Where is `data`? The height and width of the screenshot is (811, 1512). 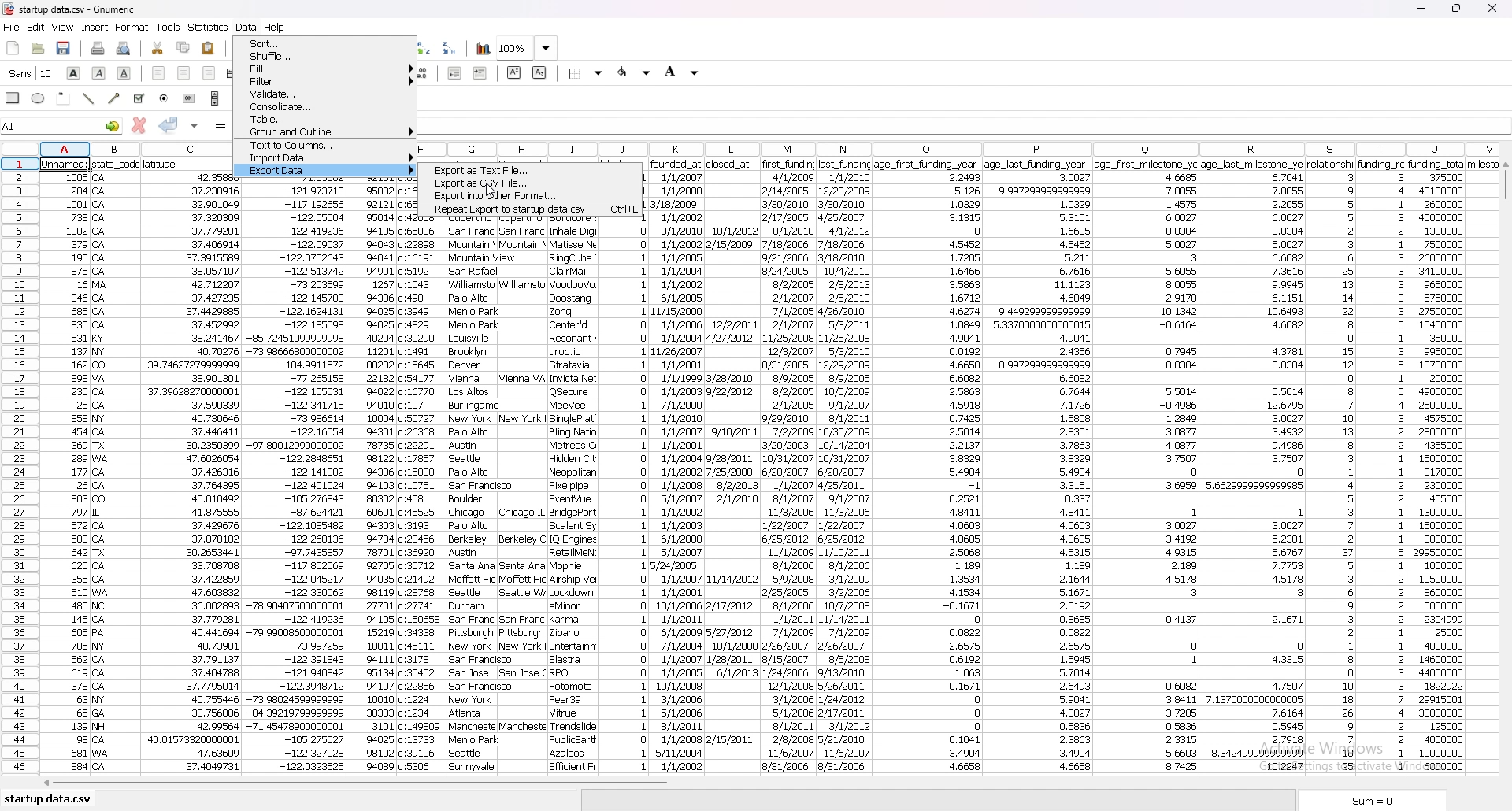 data is located at coordinates (1382, 464).